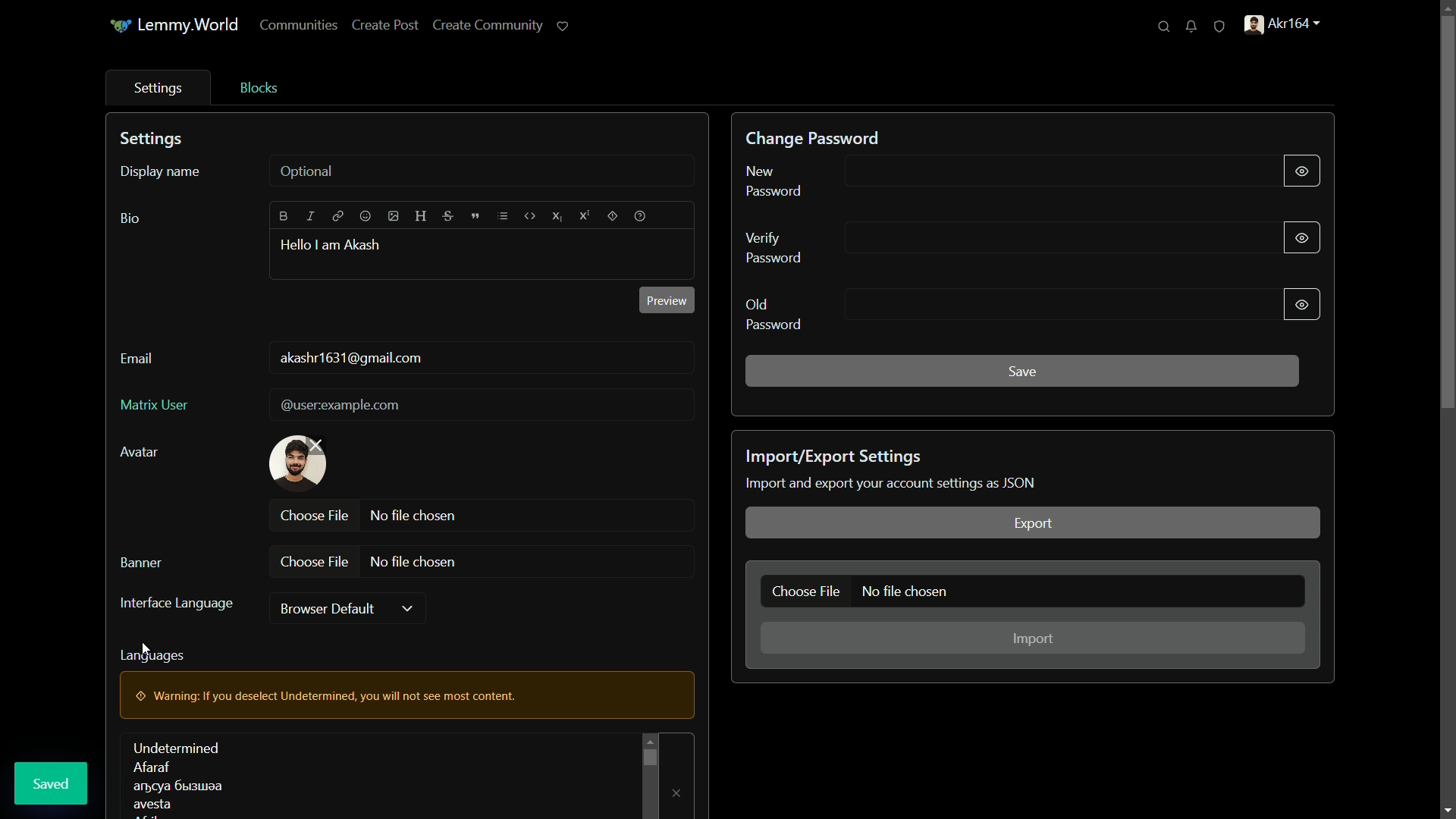 Image resolution: width=1456 pixels, height=819 pixels. What do you see at coordinates (315, 516) in the screenshot?
I see `choose file` at bounding box center [315, 516].